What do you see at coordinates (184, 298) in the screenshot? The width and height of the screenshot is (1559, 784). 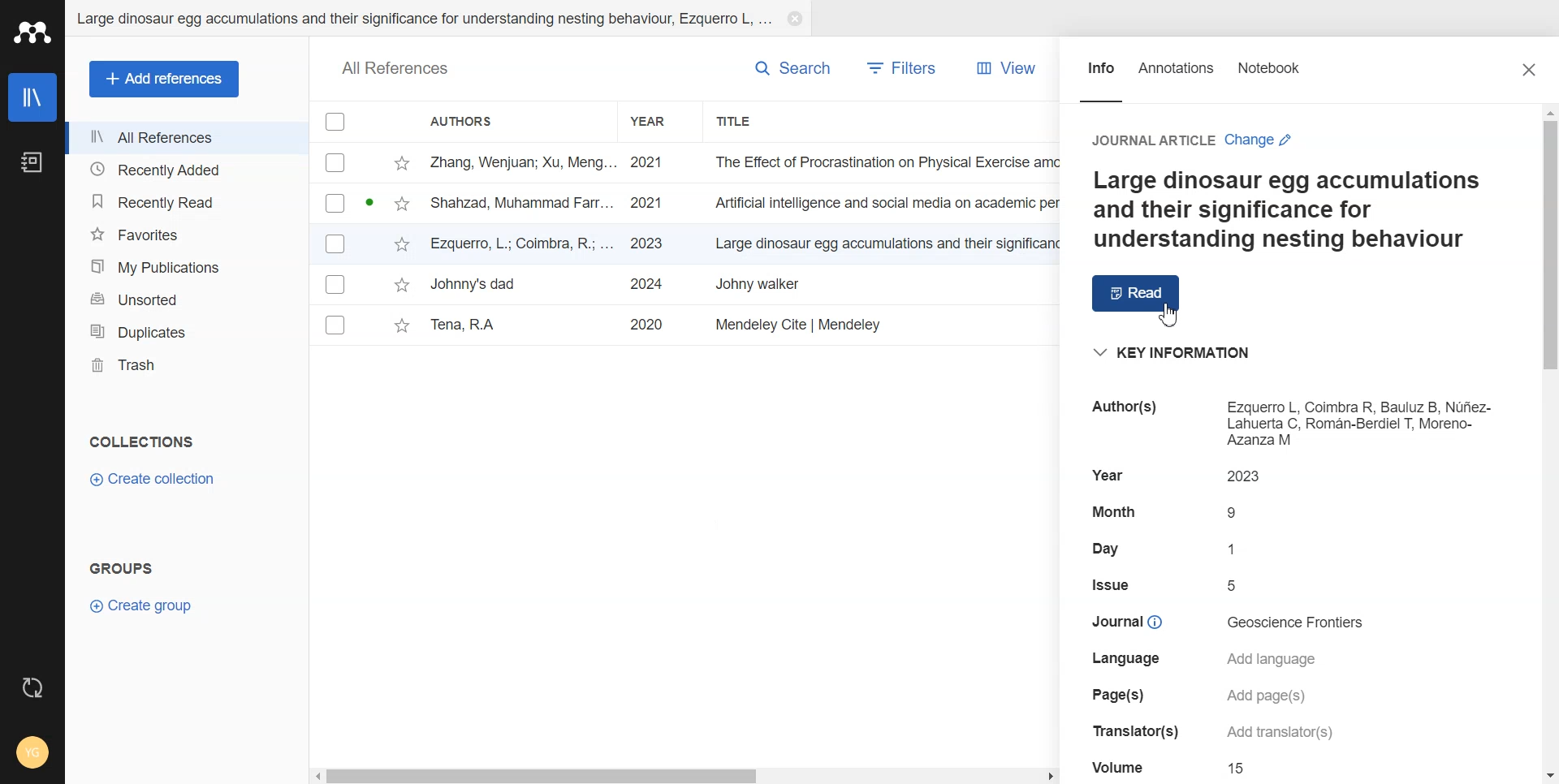 I see `Unsorted` at bounding box center [184, 298].